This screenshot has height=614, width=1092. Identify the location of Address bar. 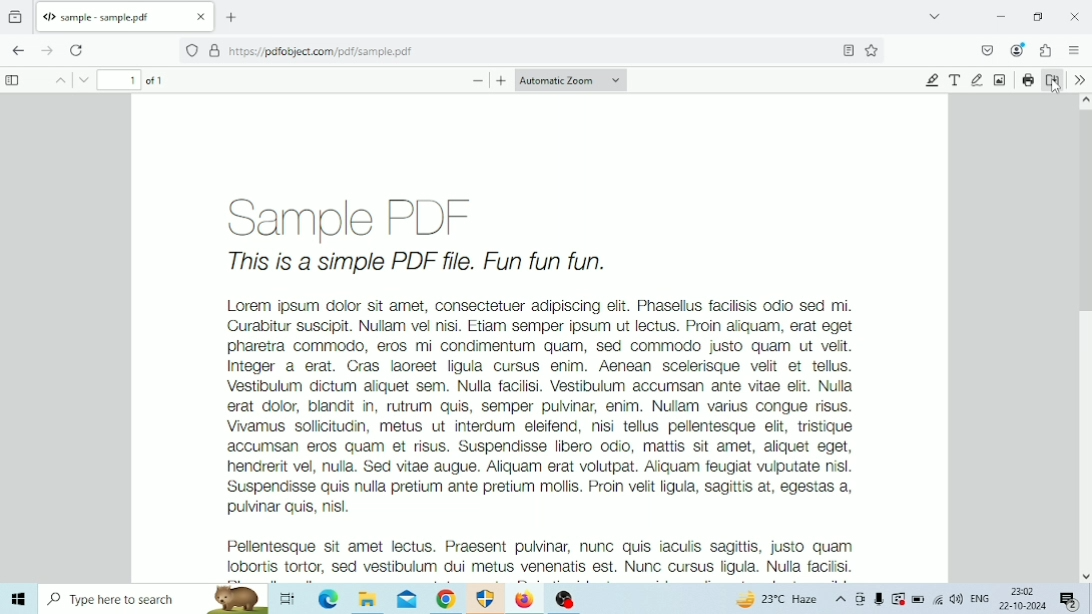
(488, 51).